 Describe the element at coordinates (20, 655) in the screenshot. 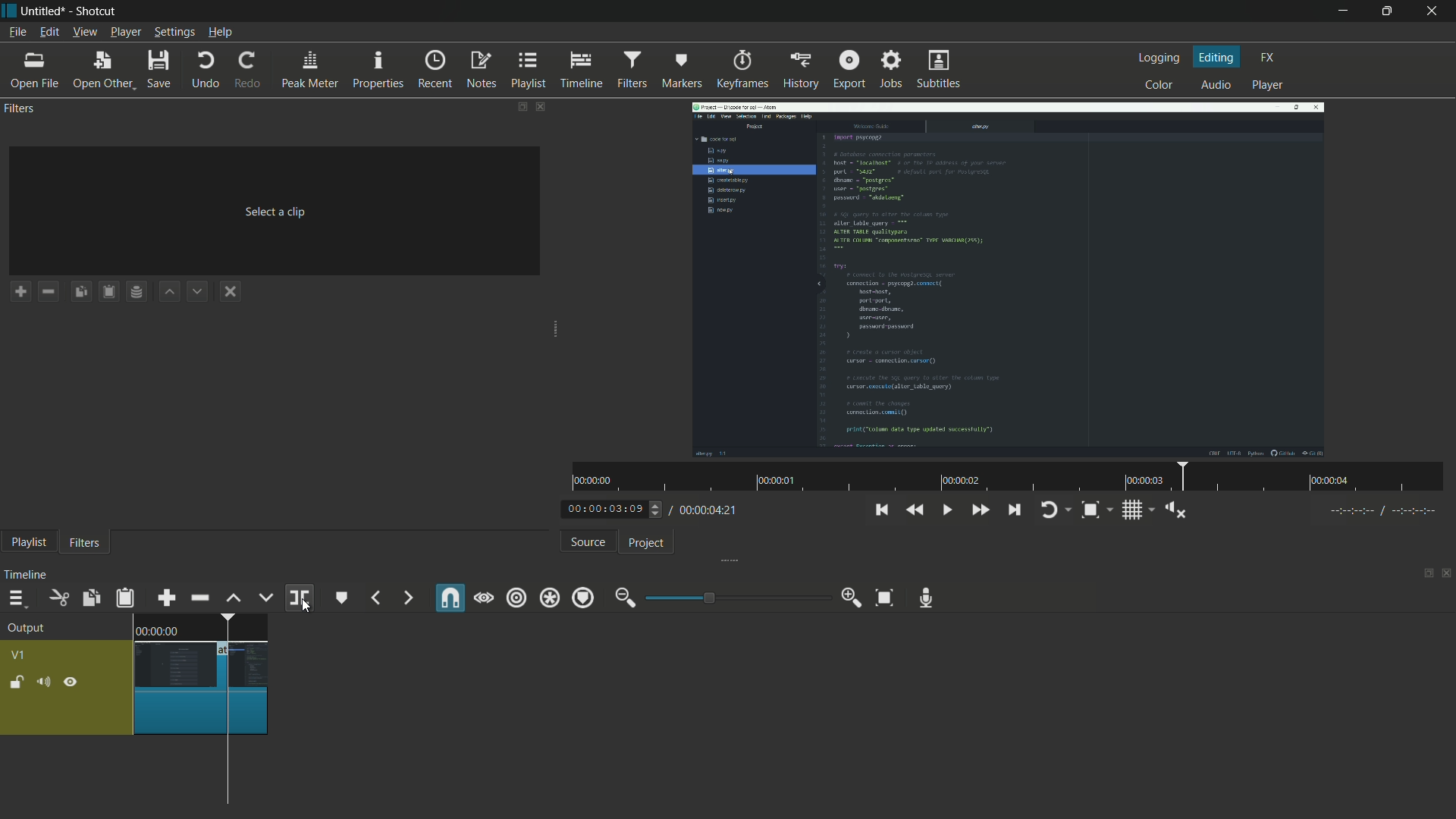

I see `v1` at that location.